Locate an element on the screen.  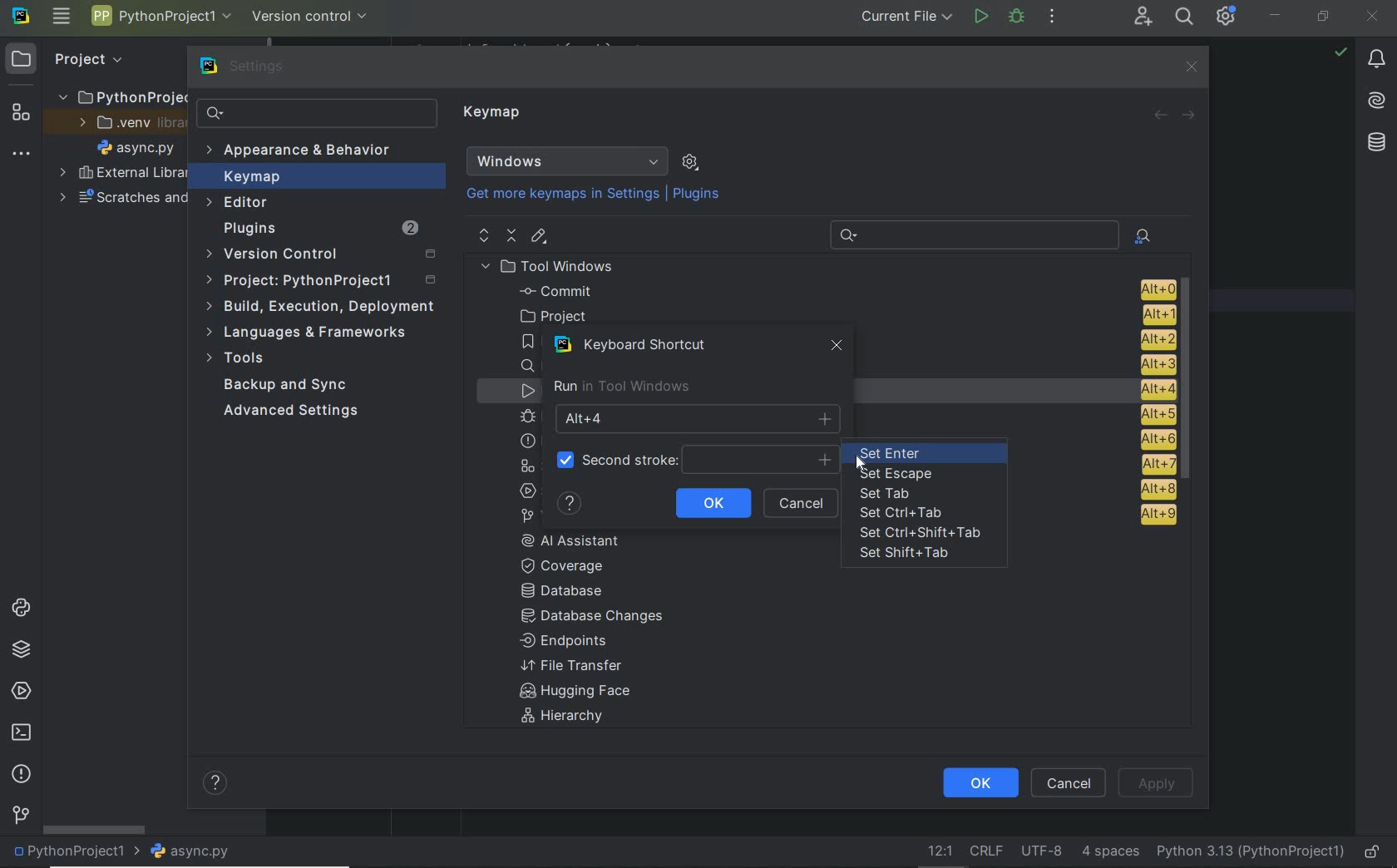
collapse all is located at coordinates (511, 236).